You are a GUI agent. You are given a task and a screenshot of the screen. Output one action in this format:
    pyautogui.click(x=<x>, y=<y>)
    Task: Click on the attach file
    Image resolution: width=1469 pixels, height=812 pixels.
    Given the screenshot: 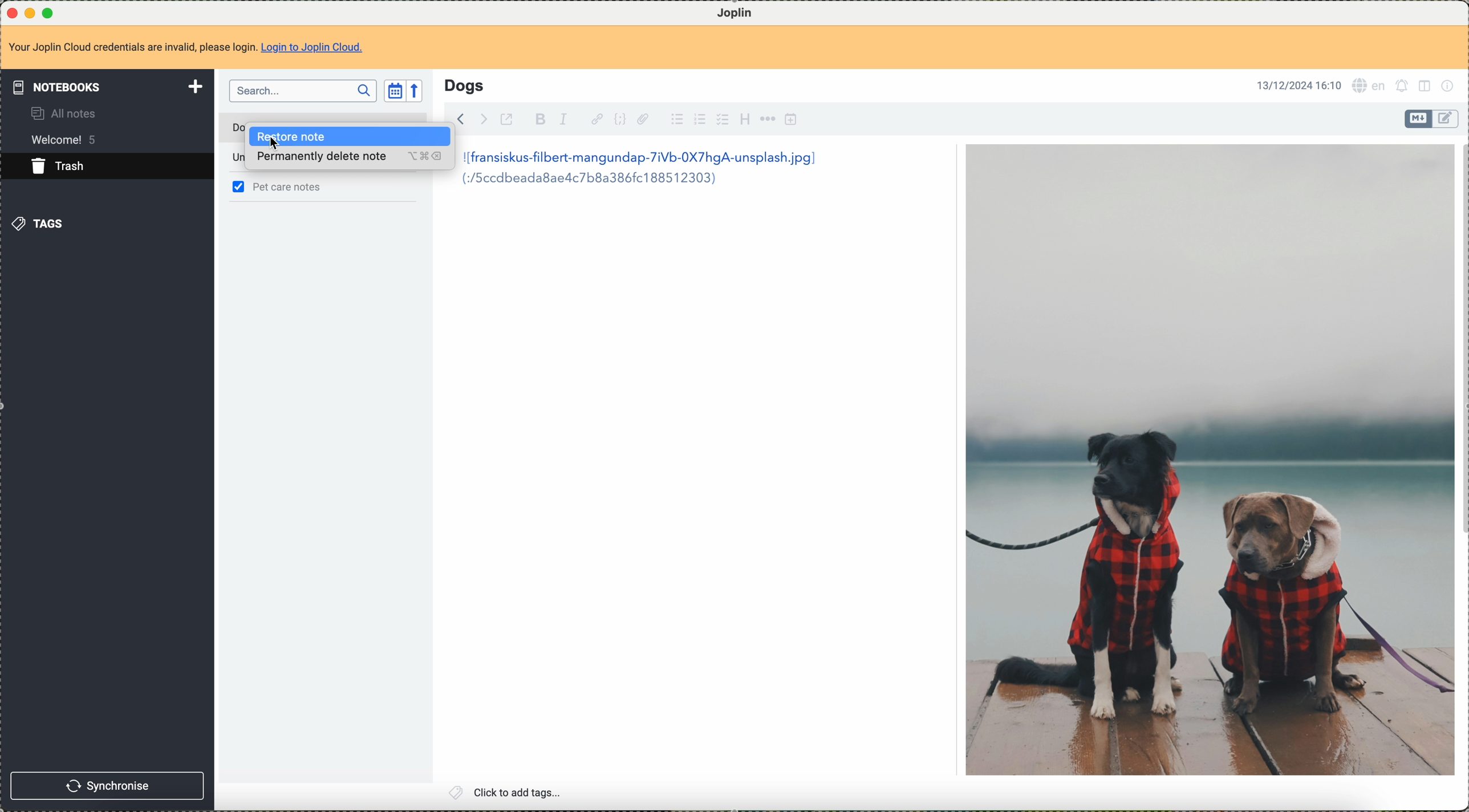 What is the action you would take?
    pyautogui.click(x=646, y=120)
    